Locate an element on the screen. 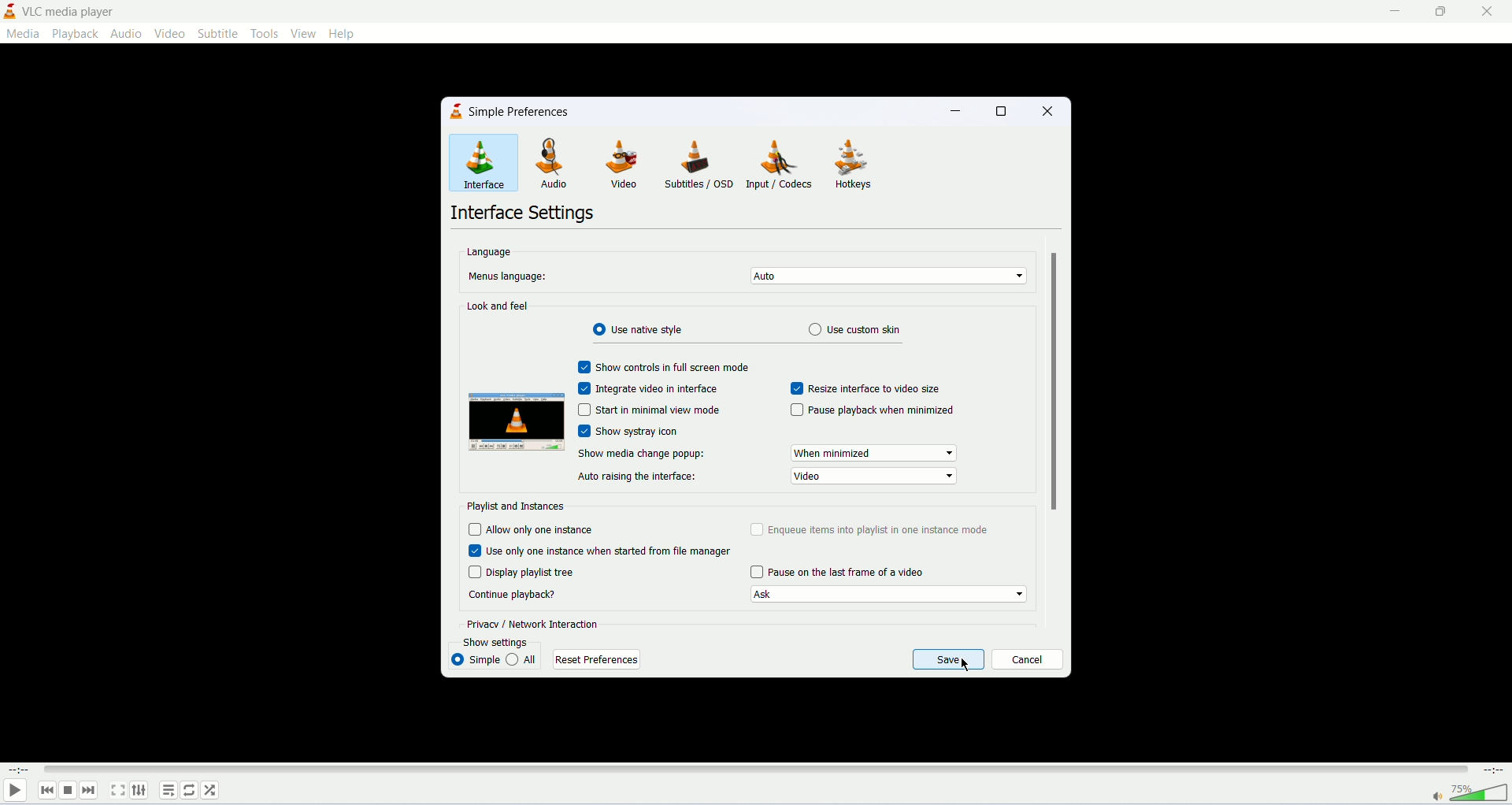 The height and width of the screenshot is (805, 1512). video is located at coordinates (619, 164).